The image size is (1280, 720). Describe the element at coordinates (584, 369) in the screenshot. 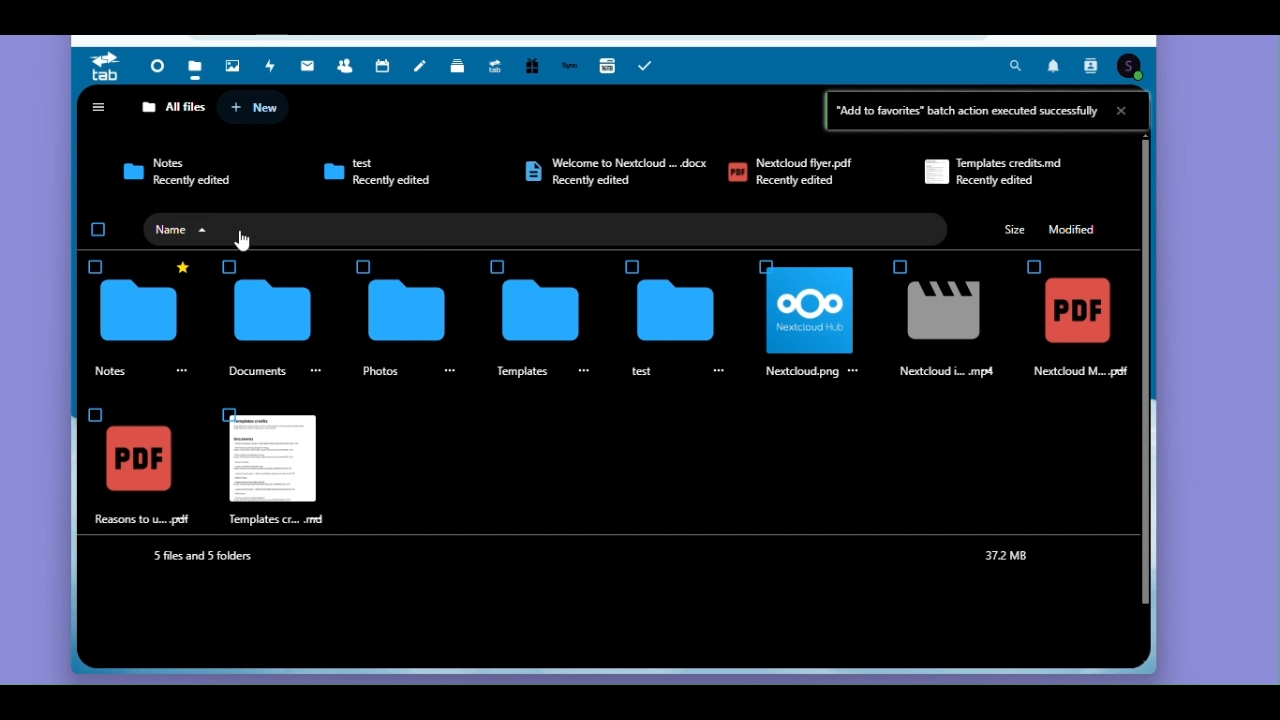

I see `Ellipsis` at that location.